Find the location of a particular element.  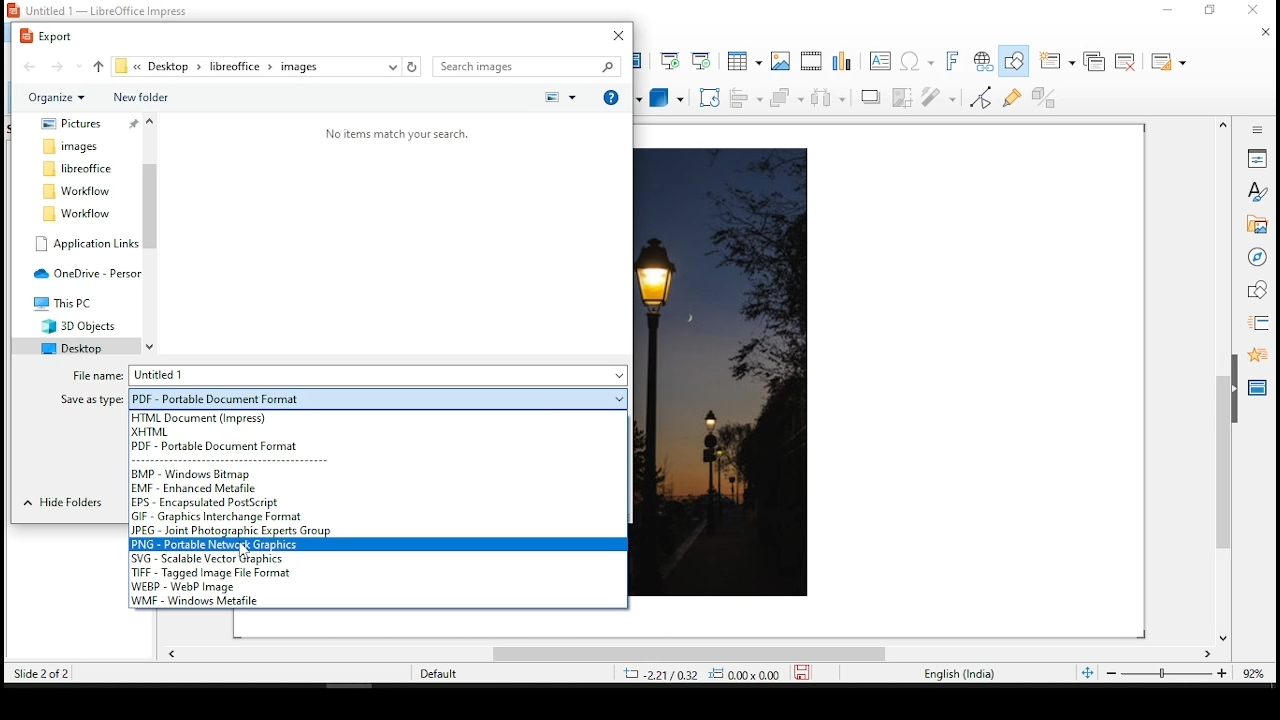

scroll bar is located at coordinates (151, 233).